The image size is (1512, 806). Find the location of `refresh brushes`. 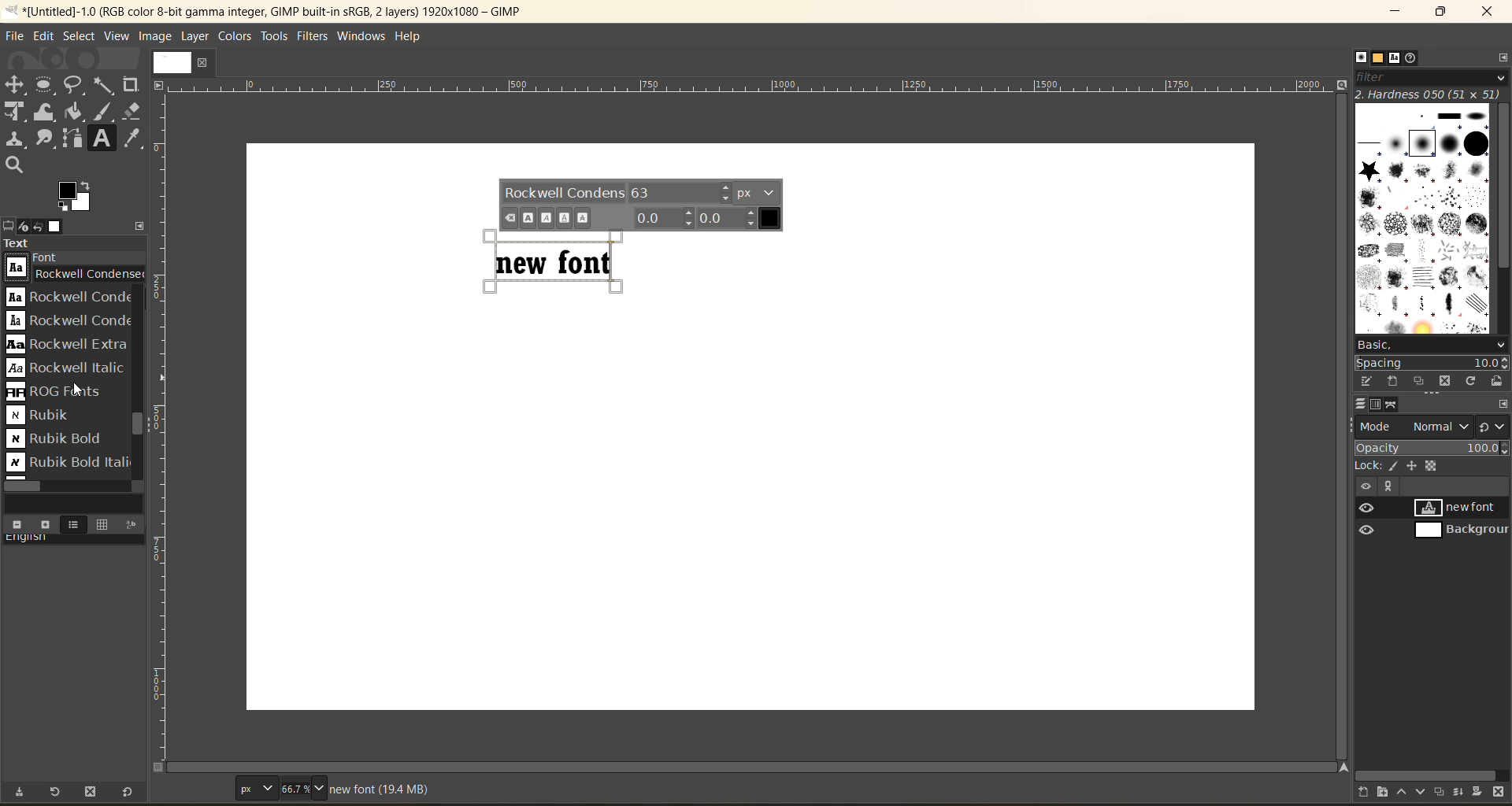

refresh brushes is located at coordinates (1469, 382).